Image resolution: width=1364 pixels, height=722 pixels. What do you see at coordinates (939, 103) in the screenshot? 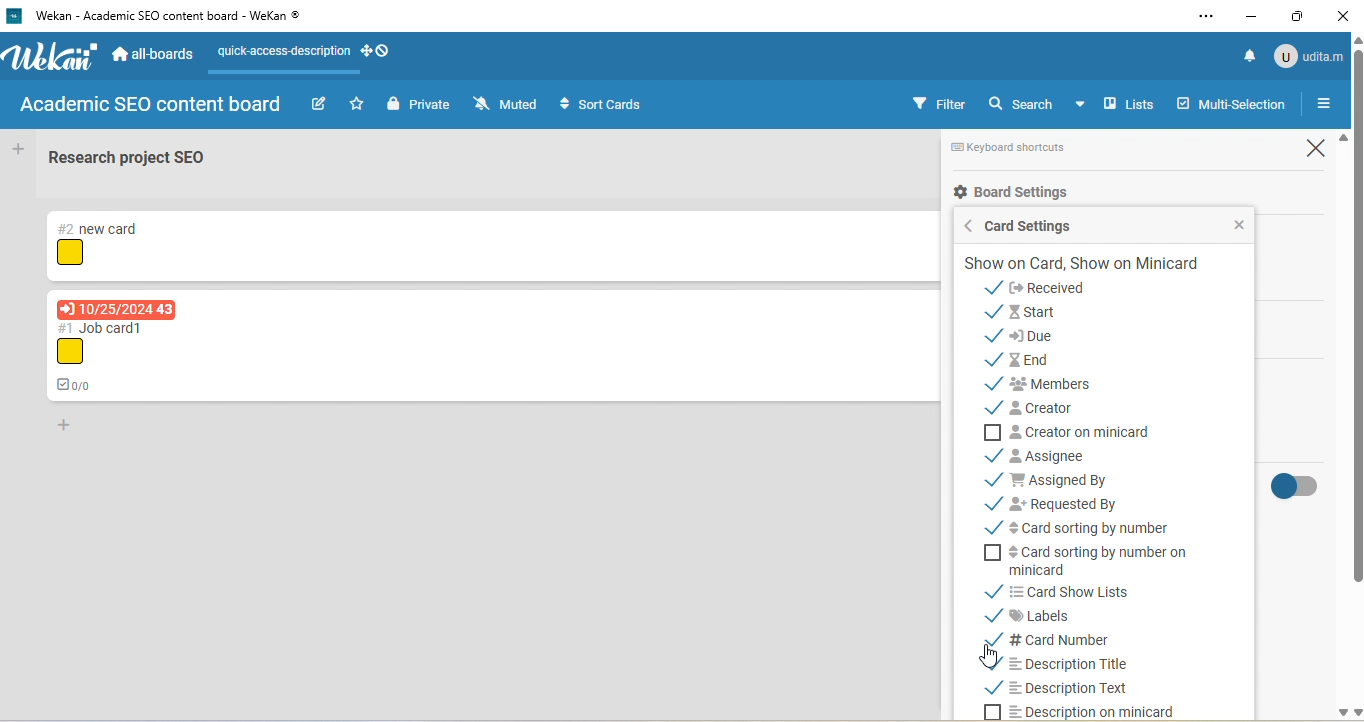
I see `filter` at bounding box center [939, 103].